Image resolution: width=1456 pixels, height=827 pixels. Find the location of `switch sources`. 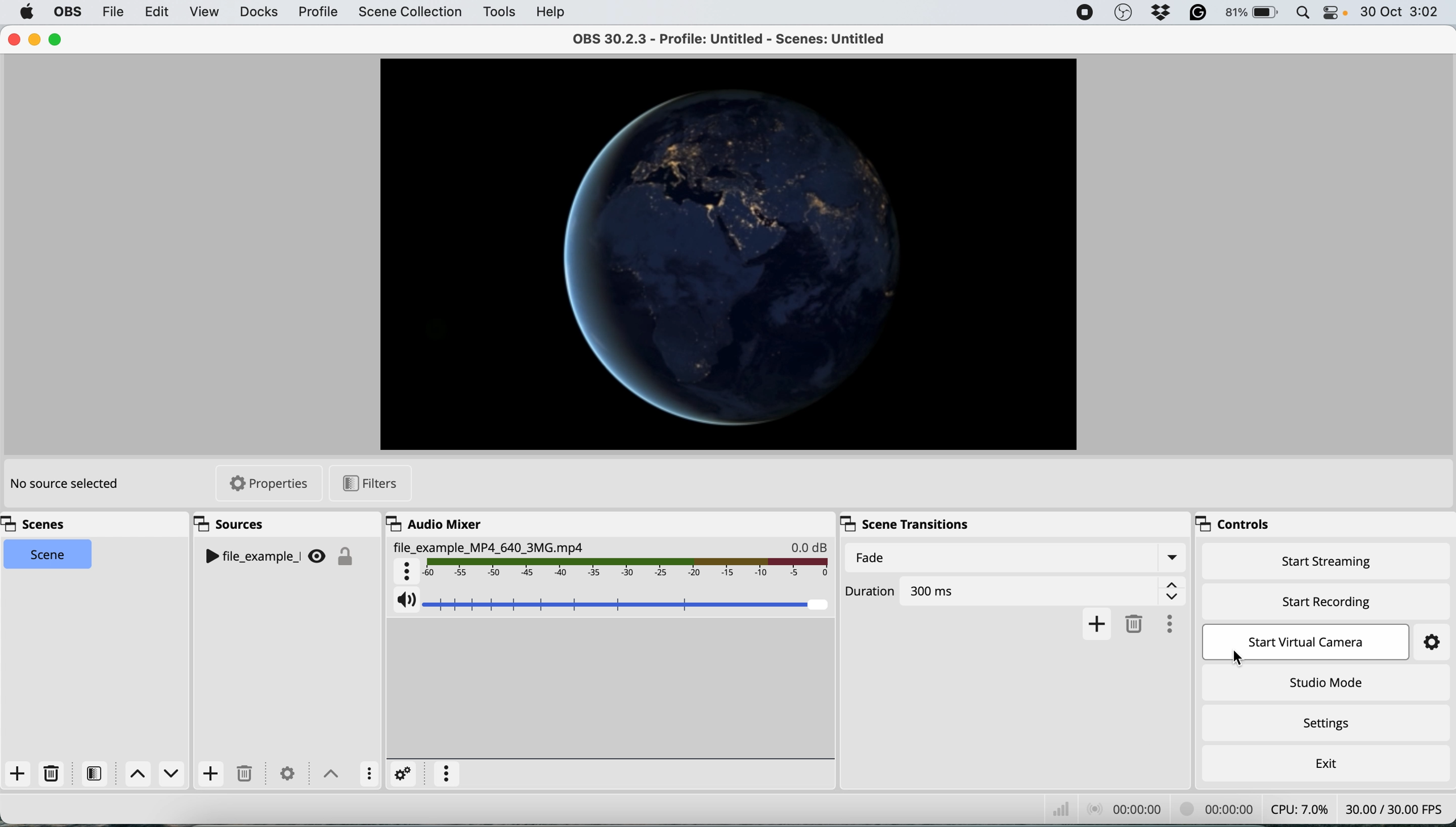

switch sources is located at coordinates (332, 774).